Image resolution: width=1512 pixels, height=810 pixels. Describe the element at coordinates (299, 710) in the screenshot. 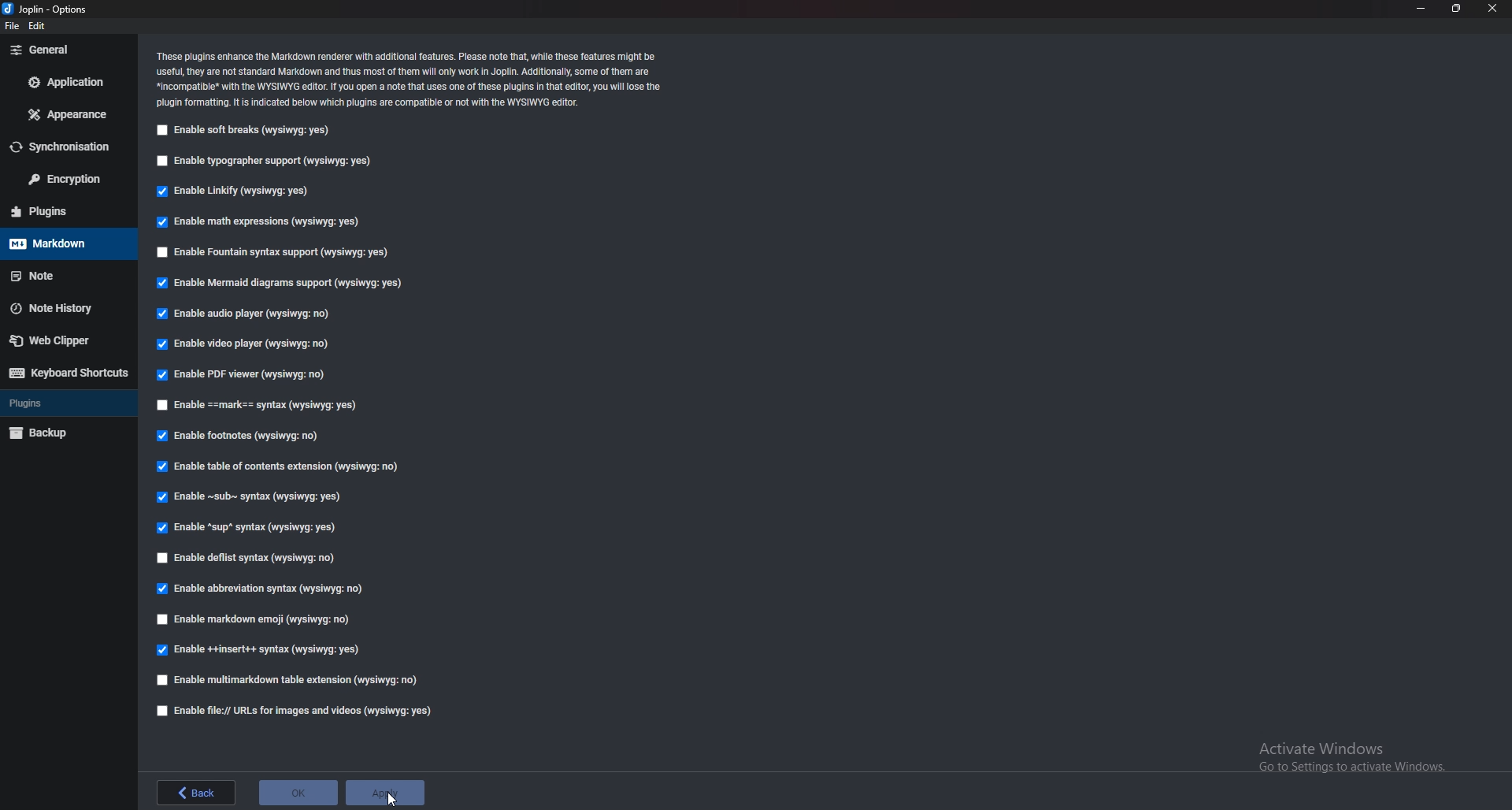

I see `Enable file urls for images and videos` at that location.